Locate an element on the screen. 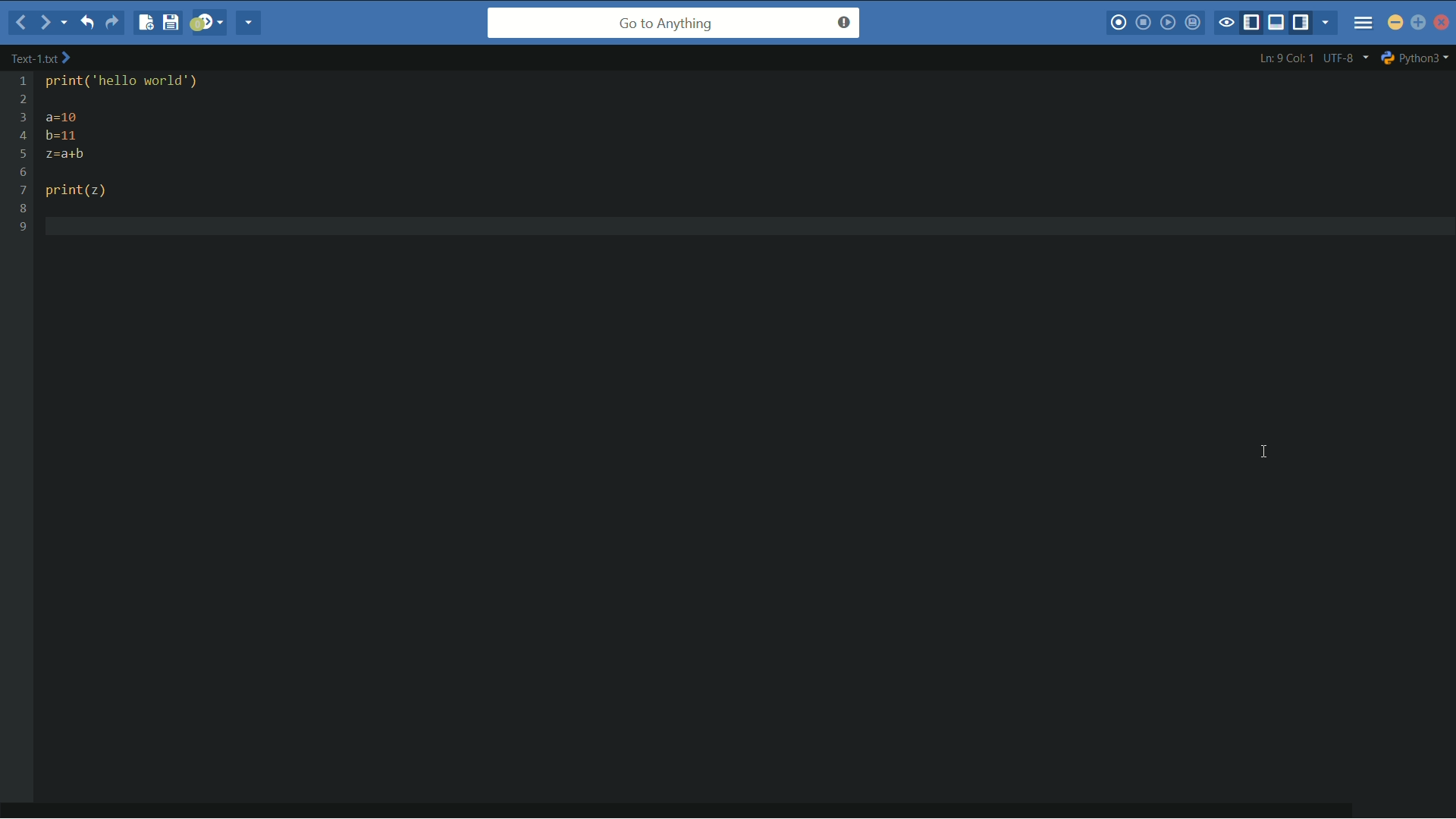 The height and width of the screenshot is (819, 1456). maximize is located at coordinates (1419, 24).